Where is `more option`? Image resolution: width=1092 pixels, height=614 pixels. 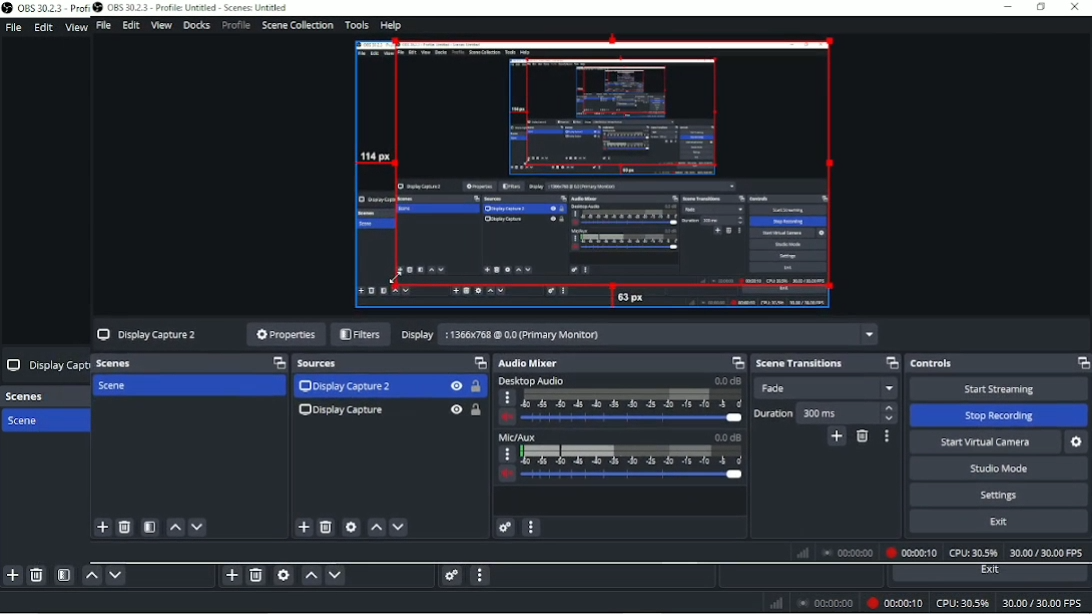 more option is located at coordinates (535, 528).